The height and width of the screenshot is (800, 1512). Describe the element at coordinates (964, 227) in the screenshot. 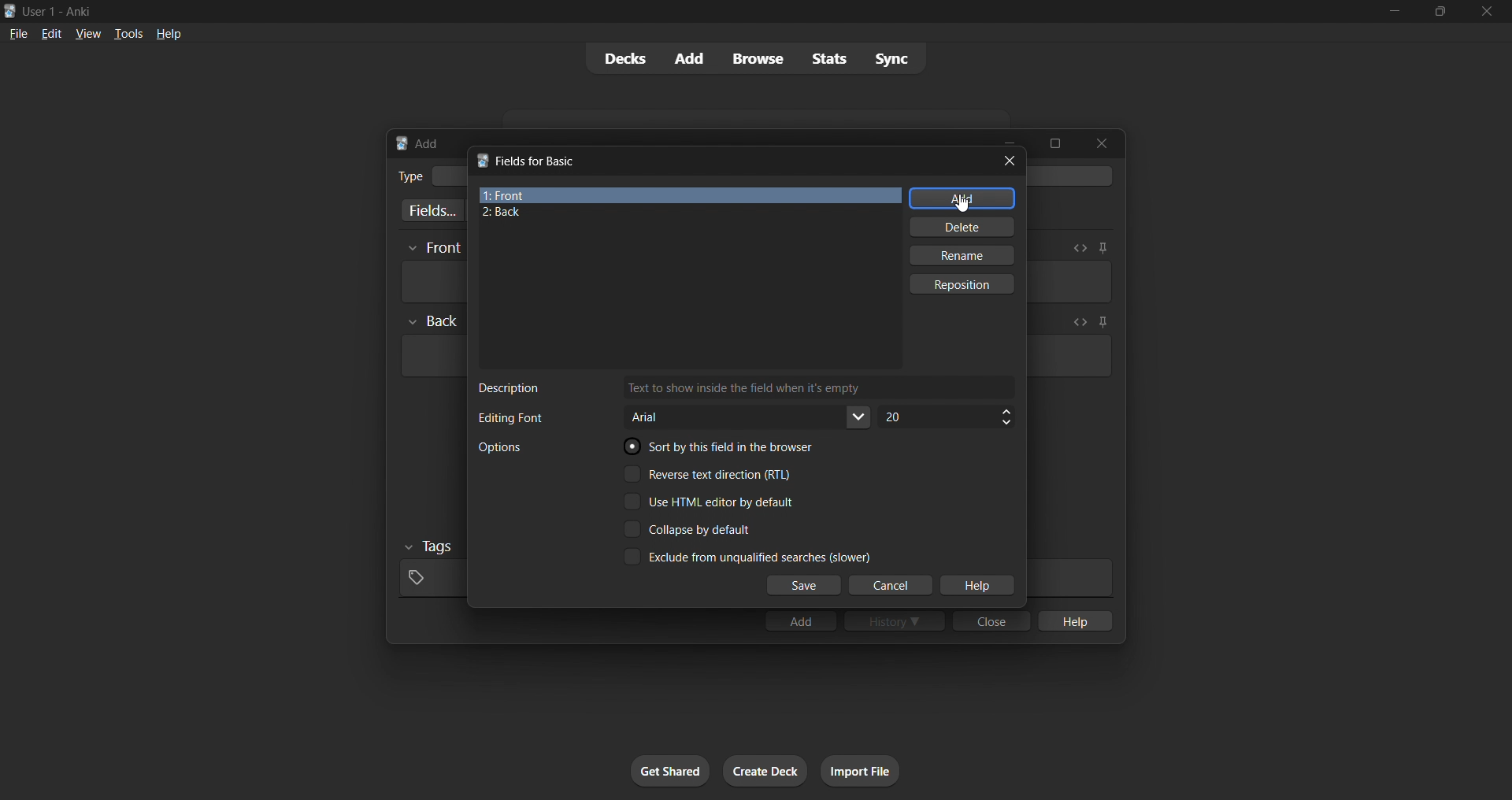

I see `delete` at that location.